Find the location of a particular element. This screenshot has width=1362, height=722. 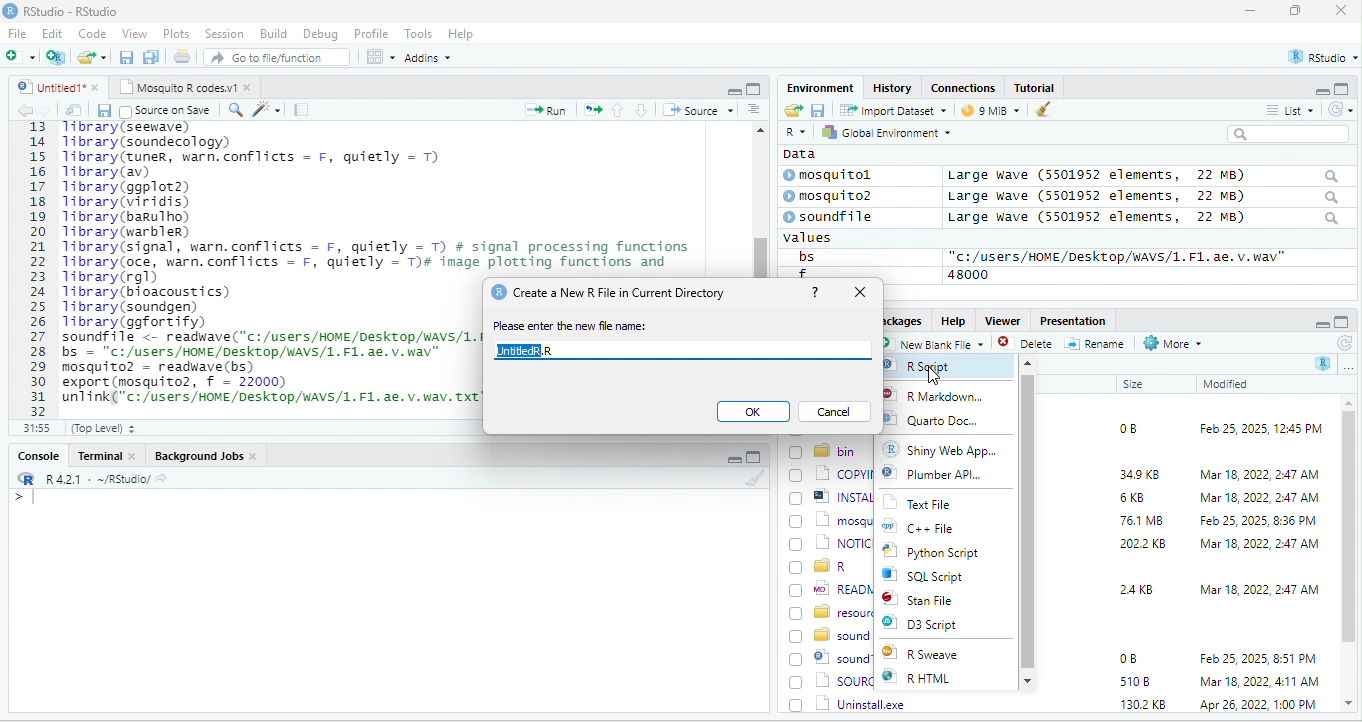

wo| READMEmd is located at coordinates (830, 588).